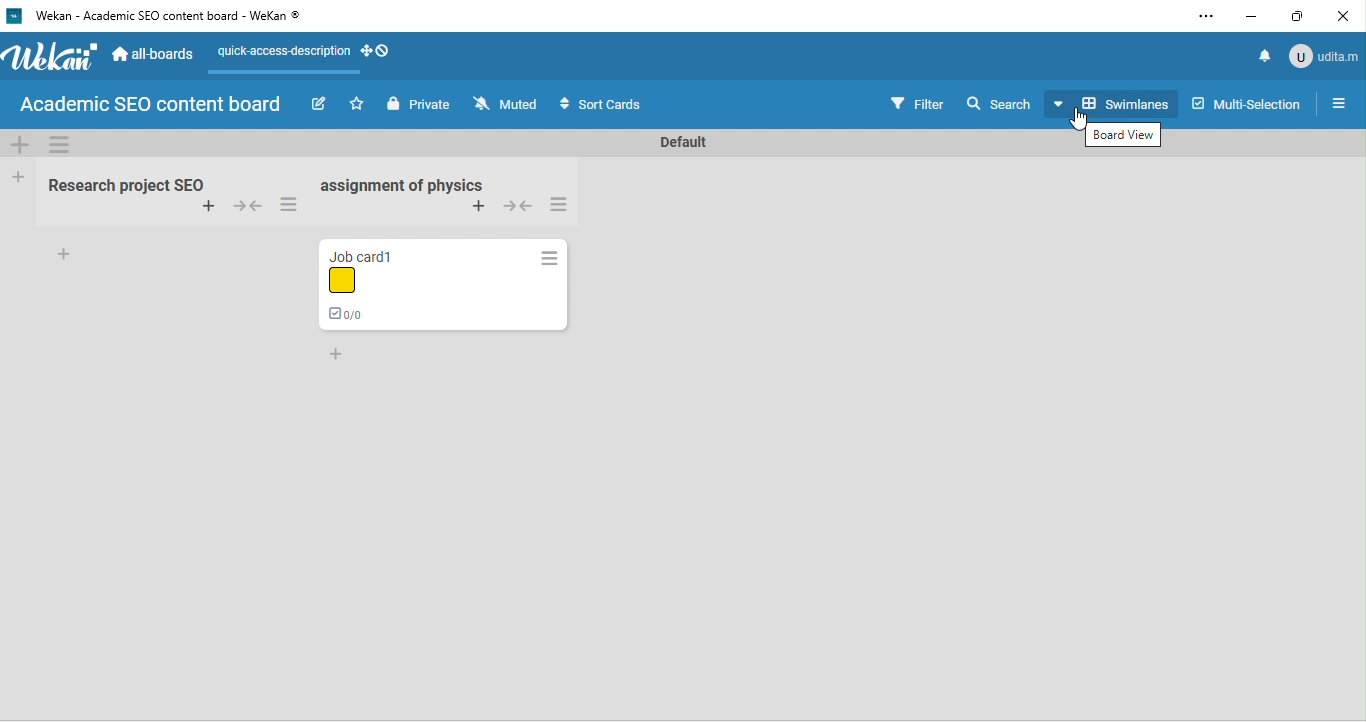  Describe the element at coordinates (564, 205) in the screenshot. I see `list action` at that location.